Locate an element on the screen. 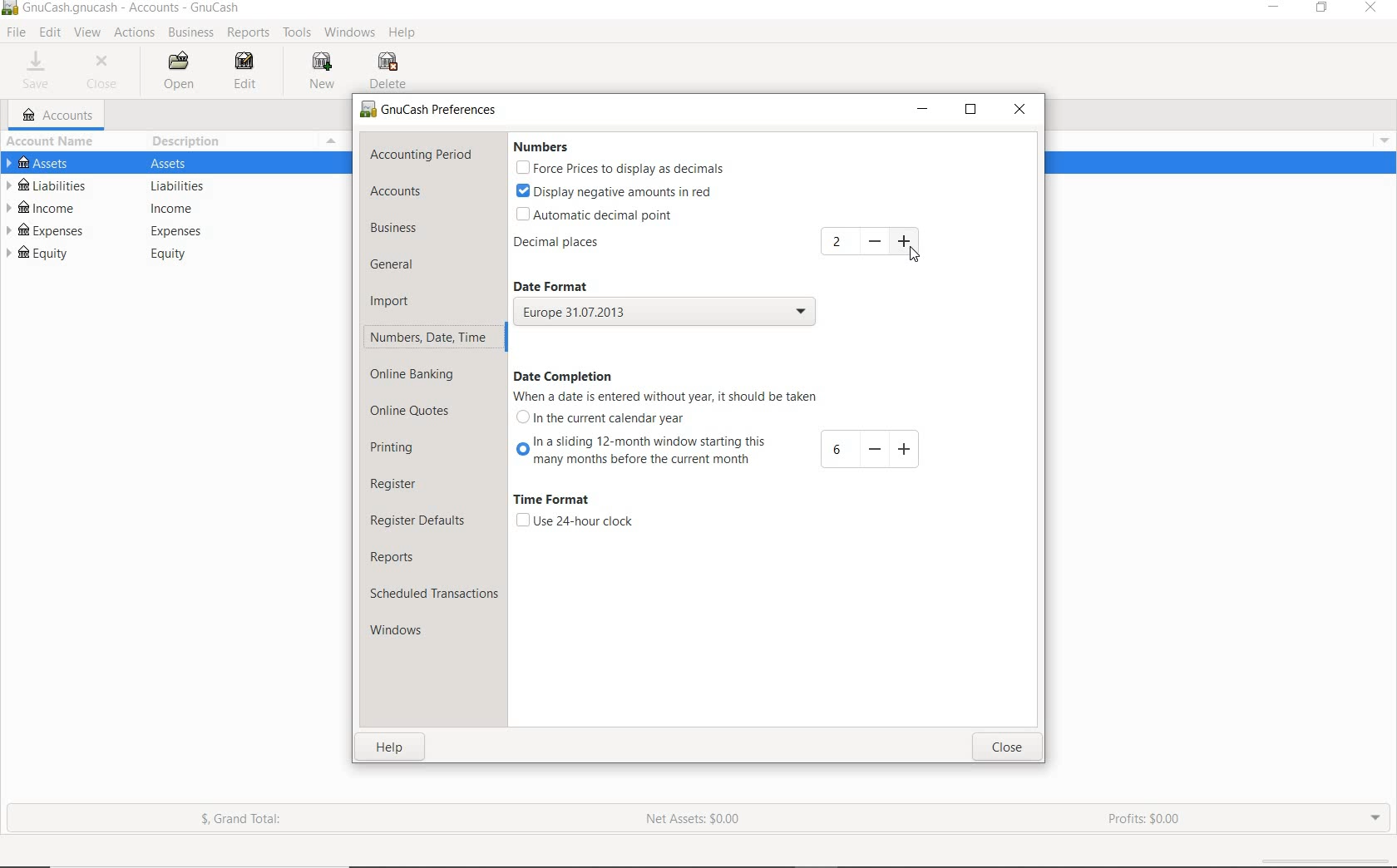 The width and height of the screenshot is (1397, 868). enter number of months is located at coordinates (837, 451).